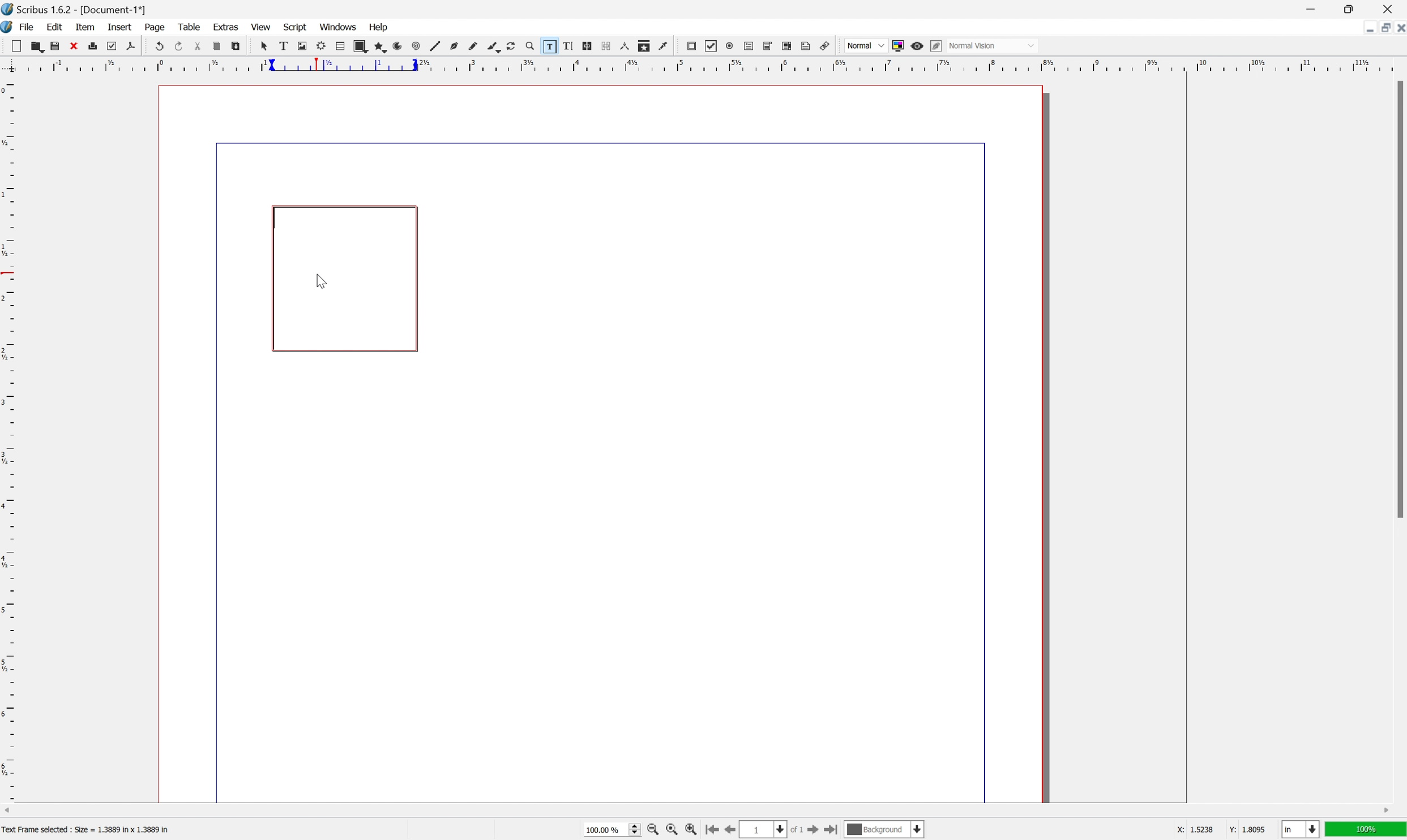 Image resolution: width=1407 pixels, height=840 pixels. I want to click on pdf checkbox, so click(712, 46).